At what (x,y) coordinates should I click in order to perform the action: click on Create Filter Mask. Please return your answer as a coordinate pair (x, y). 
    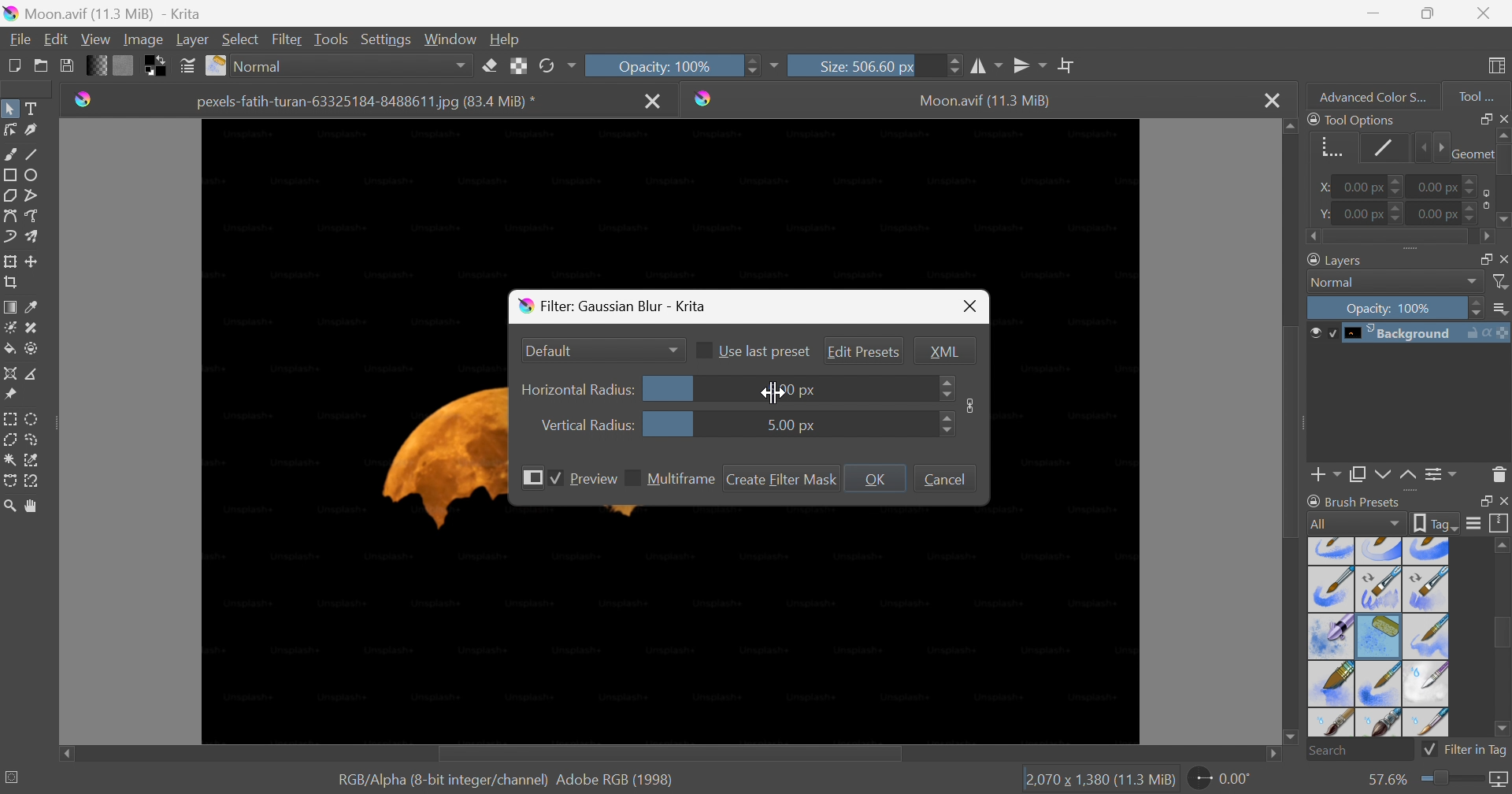
    Looking at the image, I should click on (782, 479).